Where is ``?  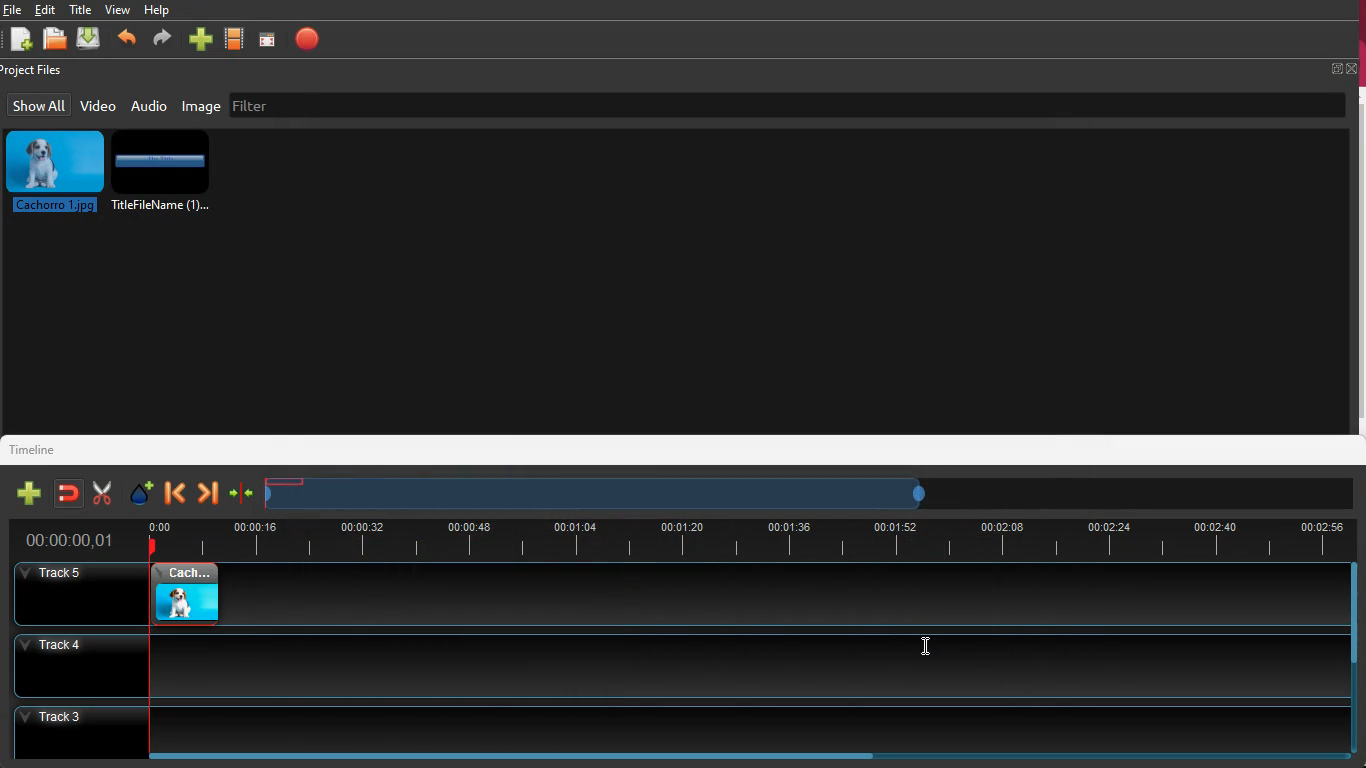  is located at coordinates (67, 594).